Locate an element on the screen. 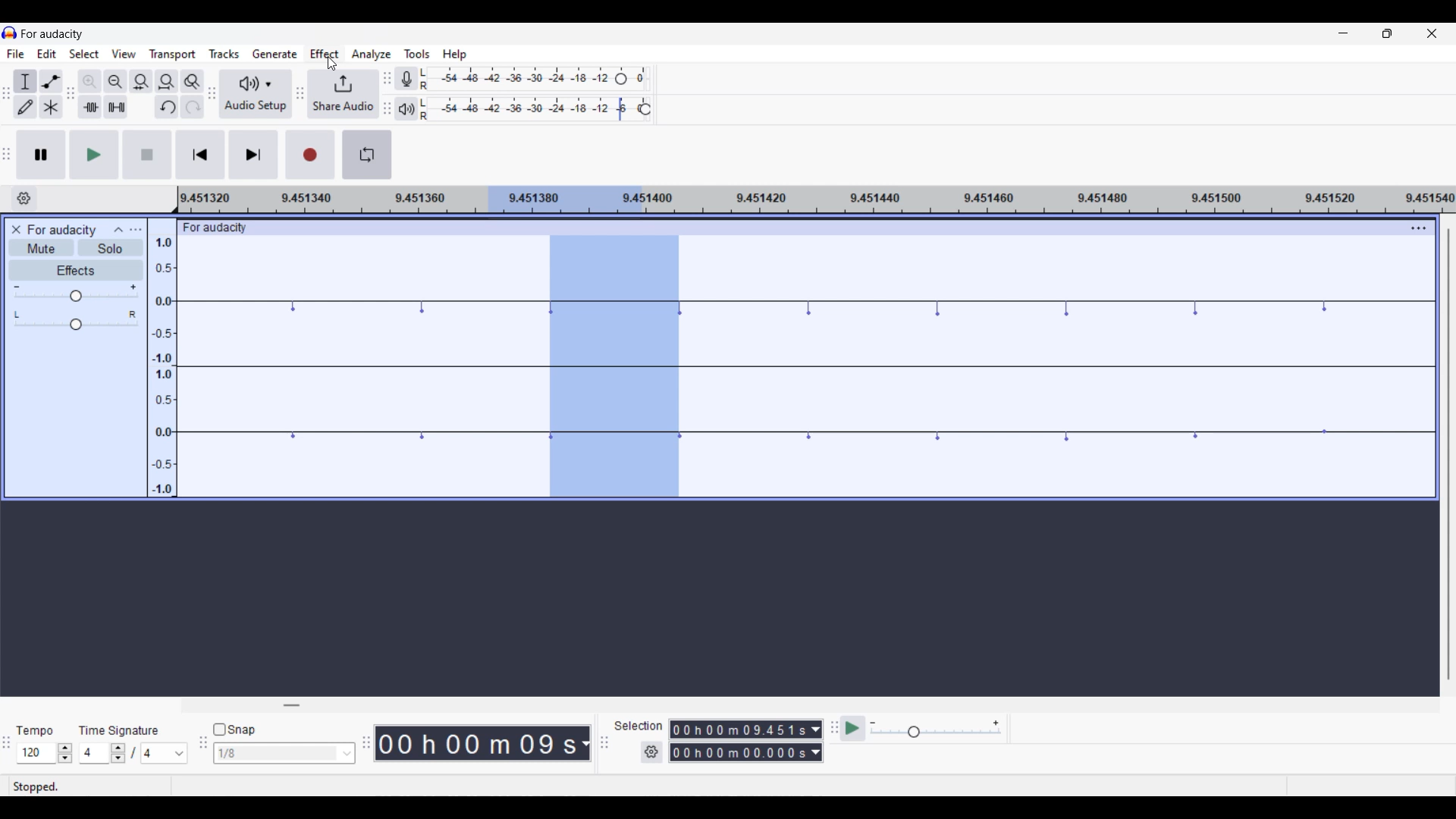  Track settings is located at coordinates (1419, 228).